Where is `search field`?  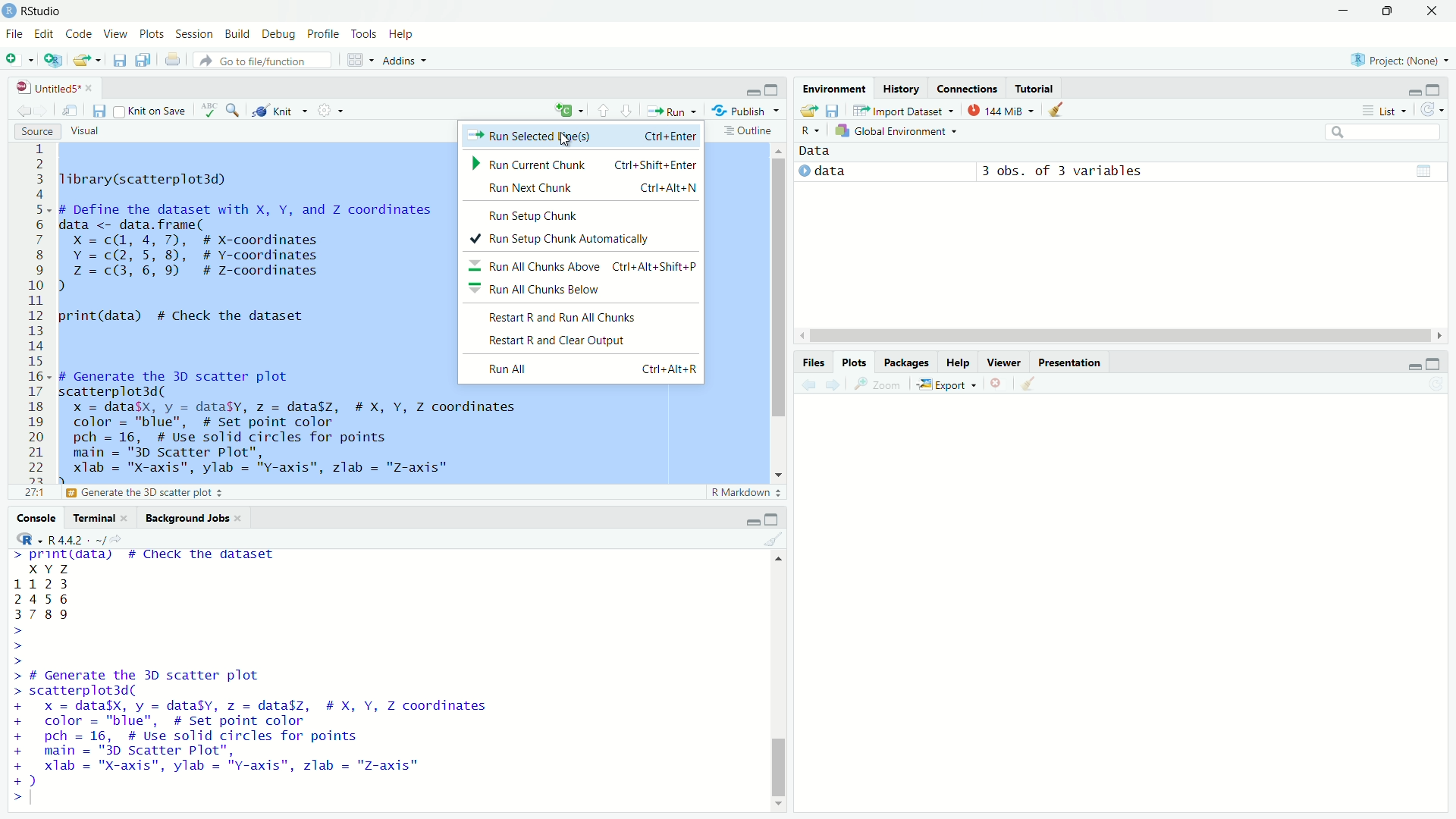 search field is located at coordinates (1382, 132).